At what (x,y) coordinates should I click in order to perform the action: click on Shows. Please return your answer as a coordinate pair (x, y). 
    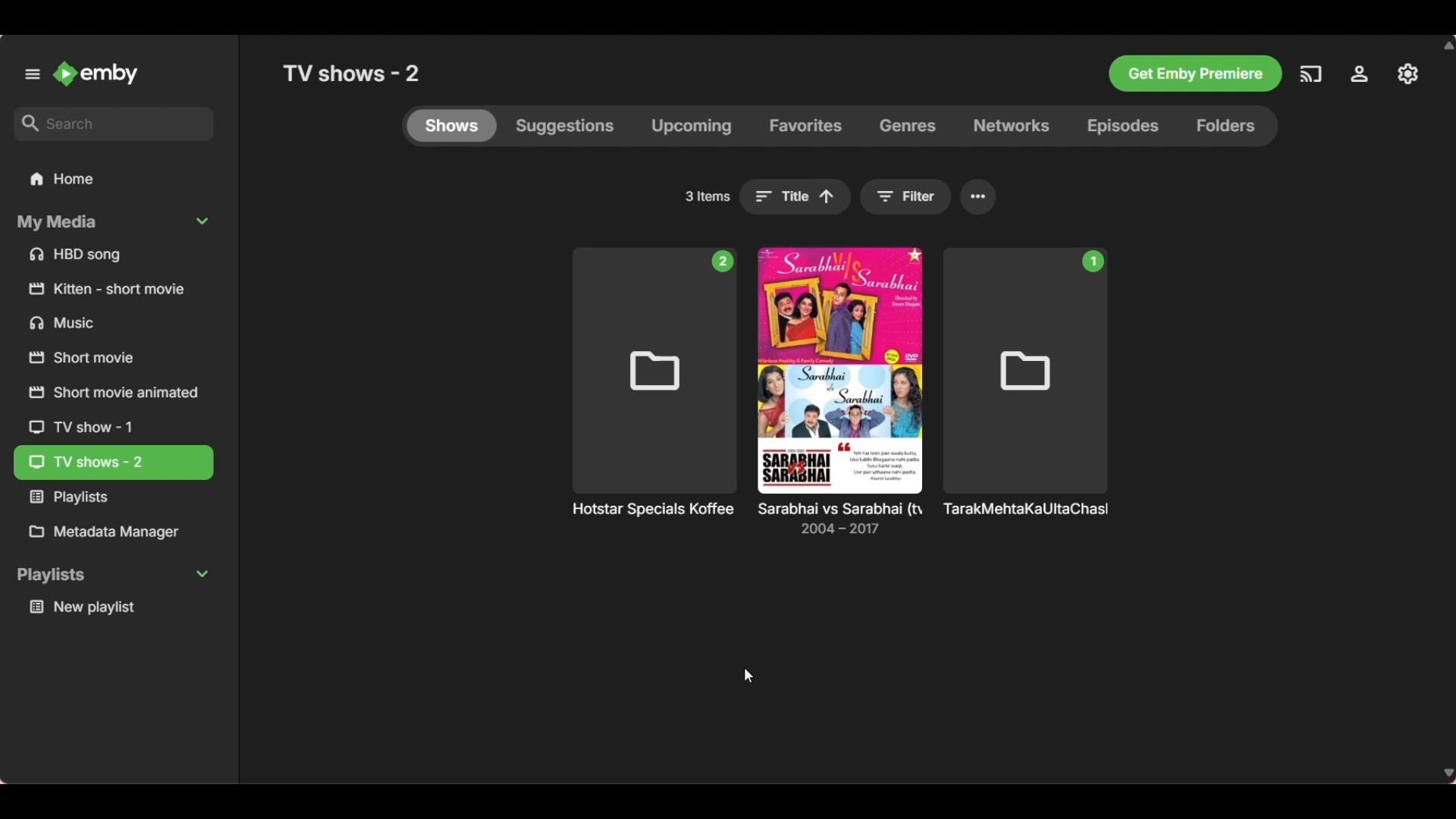
    Looking at the image, I should click on (451, 126).